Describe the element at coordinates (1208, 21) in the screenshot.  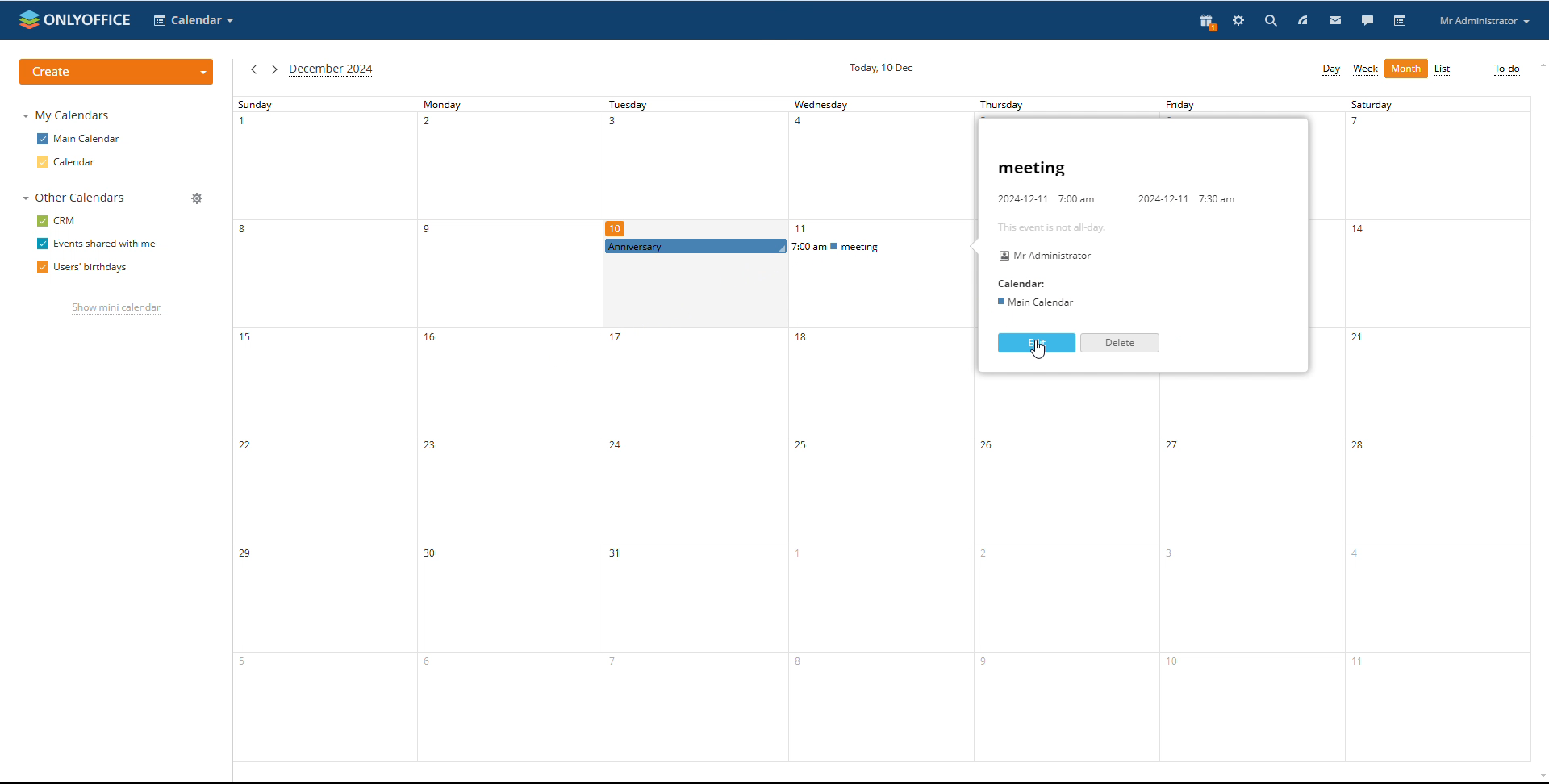
I see `present` at that location.